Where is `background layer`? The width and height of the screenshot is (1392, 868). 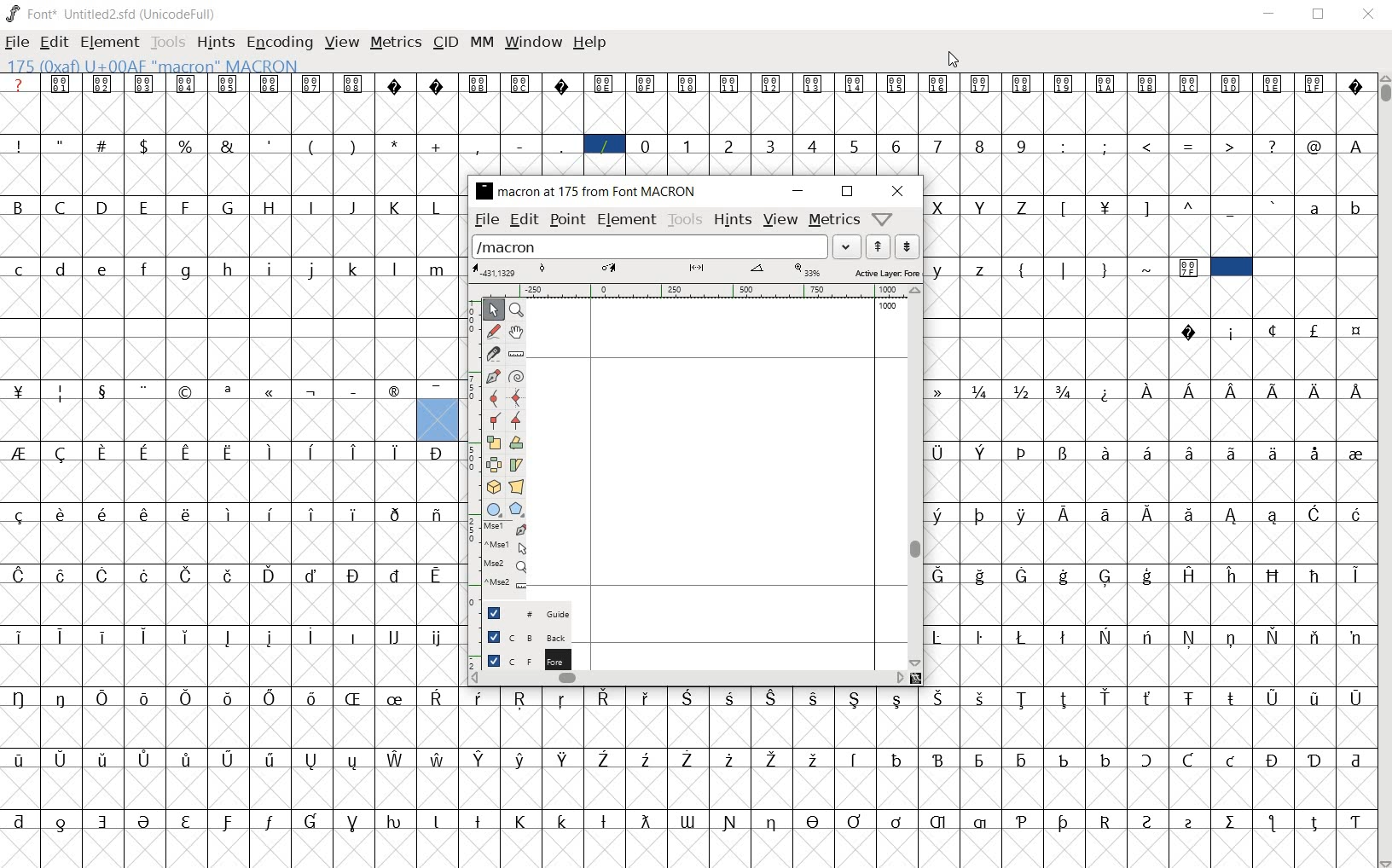 background layer is located at coordinates (527, 636).